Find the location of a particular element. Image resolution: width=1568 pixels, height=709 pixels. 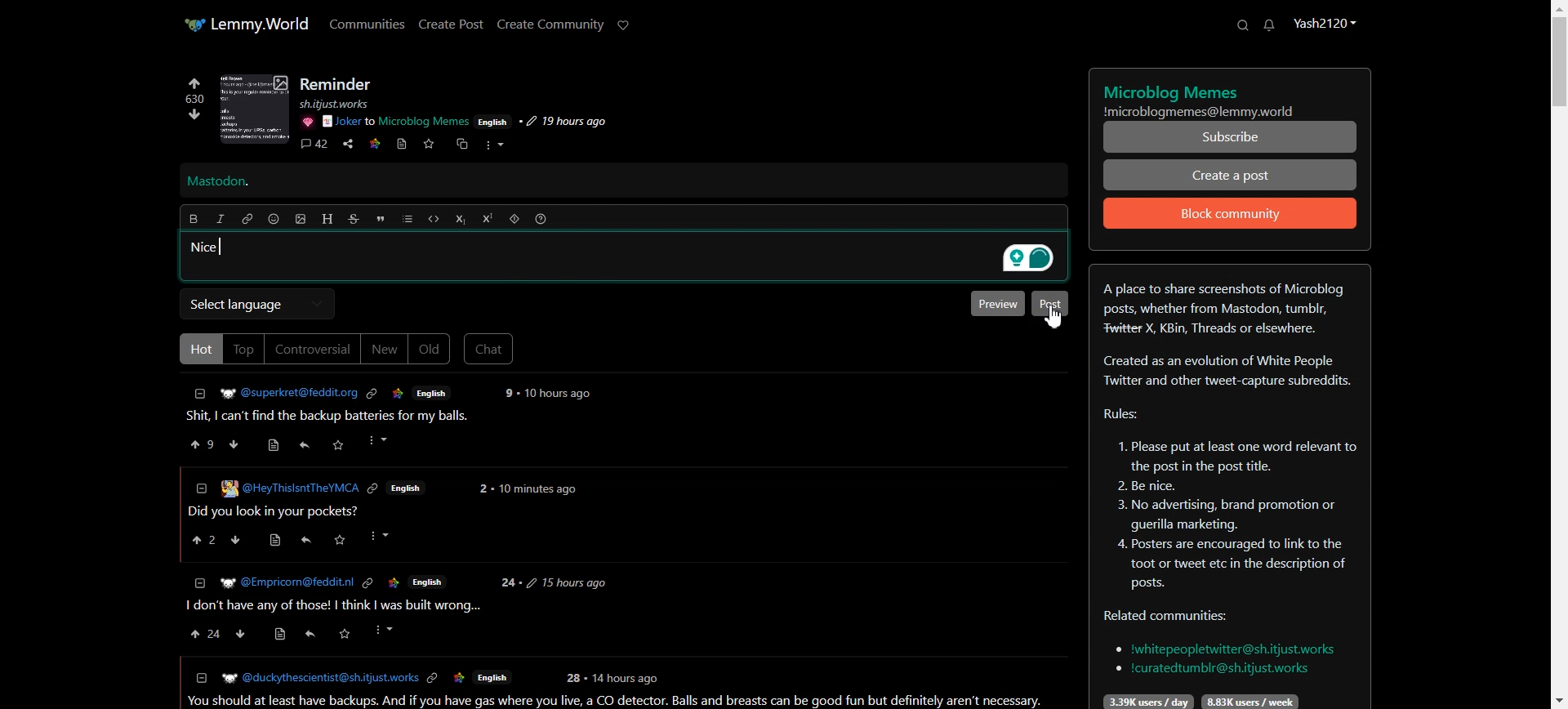

Text is located at coordinates (1231, 96).